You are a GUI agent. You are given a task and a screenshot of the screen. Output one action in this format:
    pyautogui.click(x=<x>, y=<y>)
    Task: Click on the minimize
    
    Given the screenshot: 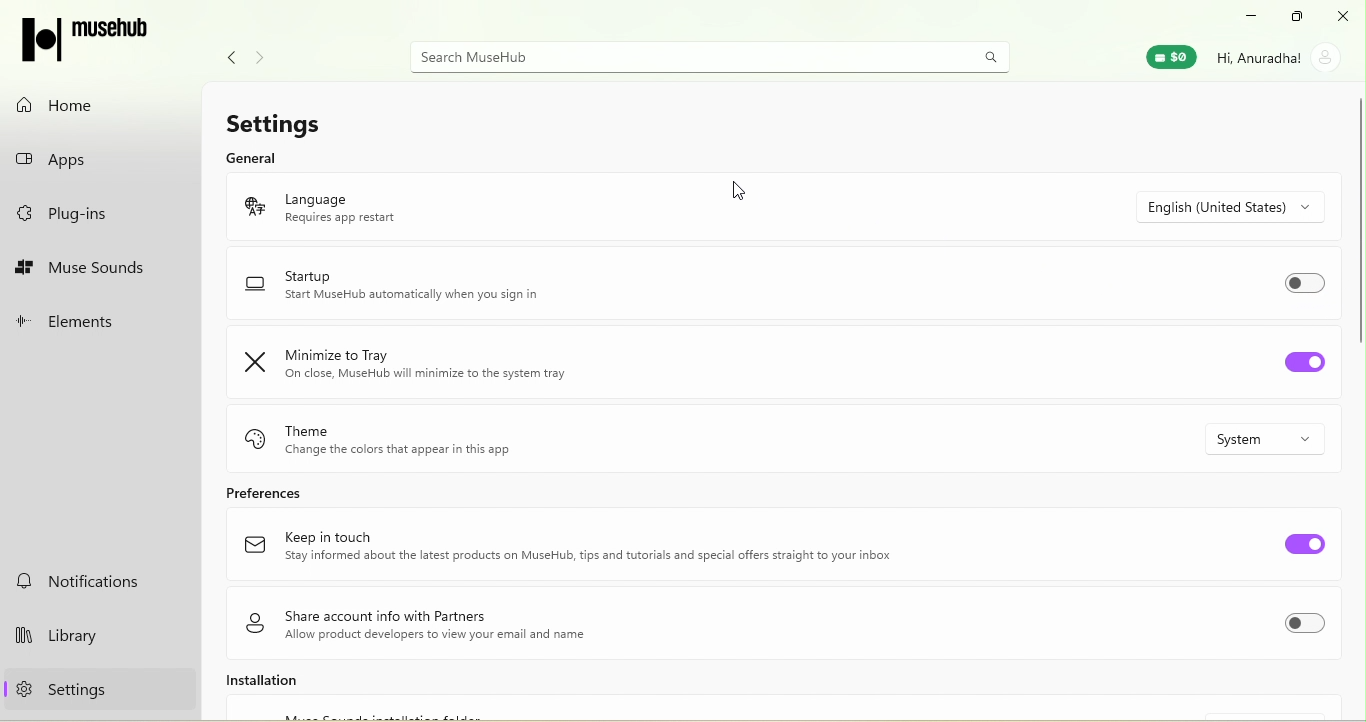 What is the action you would take?
    pyautogui.click(x=1250, y=15)
    